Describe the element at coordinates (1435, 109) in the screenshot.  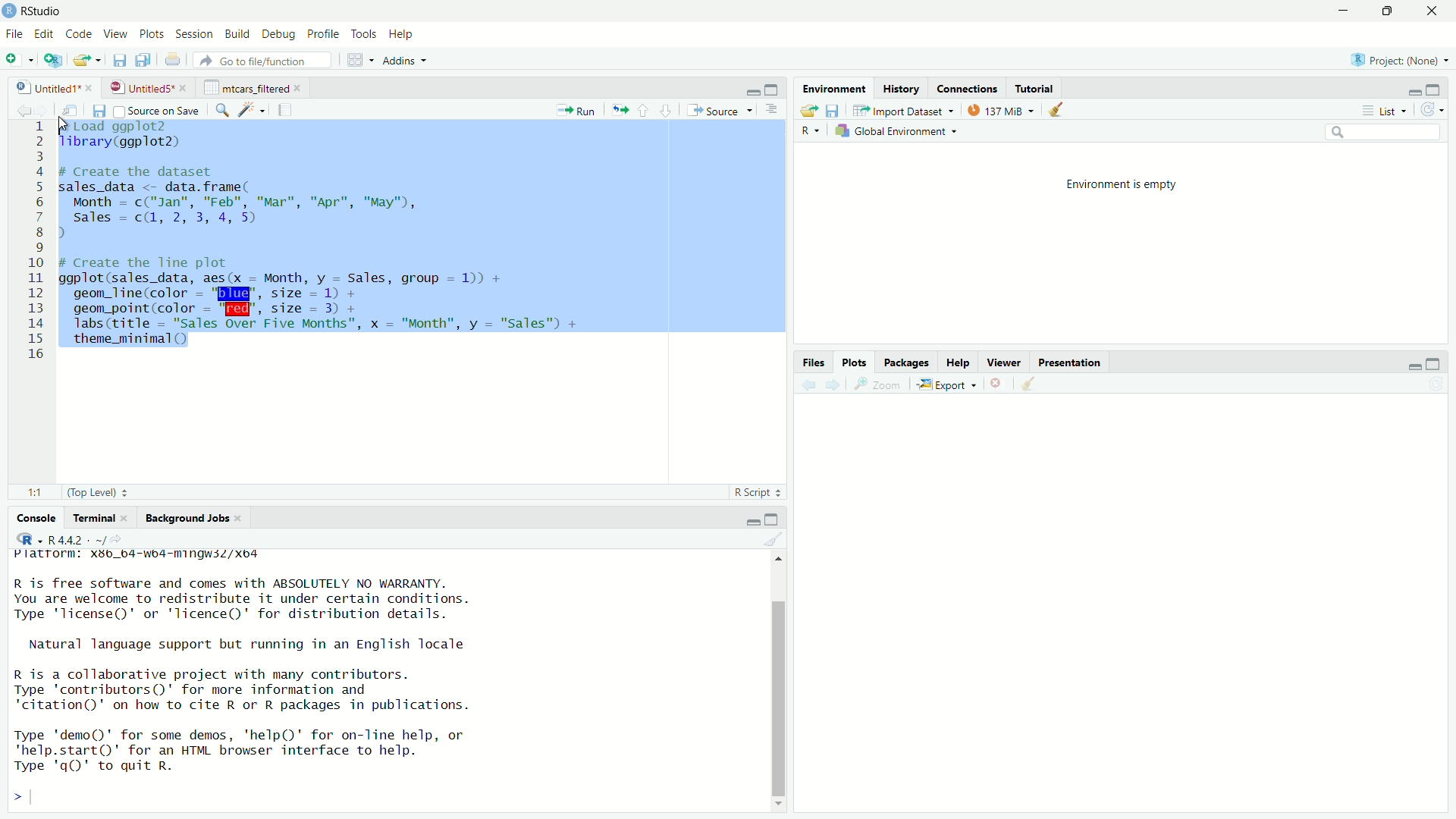
I see `refresh` at that location.